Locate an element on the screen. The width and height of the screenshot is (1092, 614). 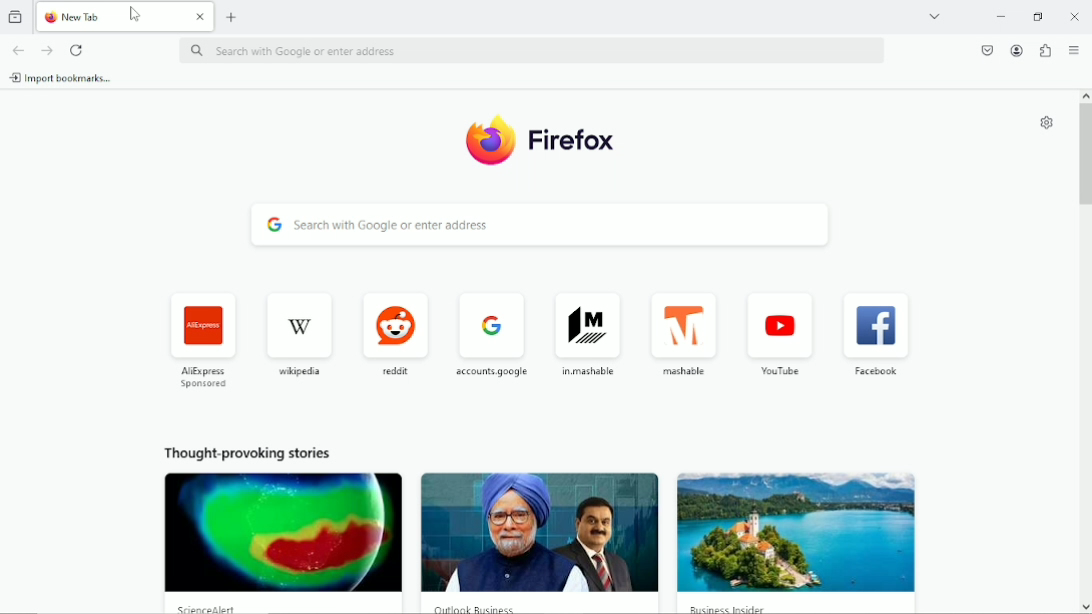
Personalize new tab is located at coordinates (1047, 124).